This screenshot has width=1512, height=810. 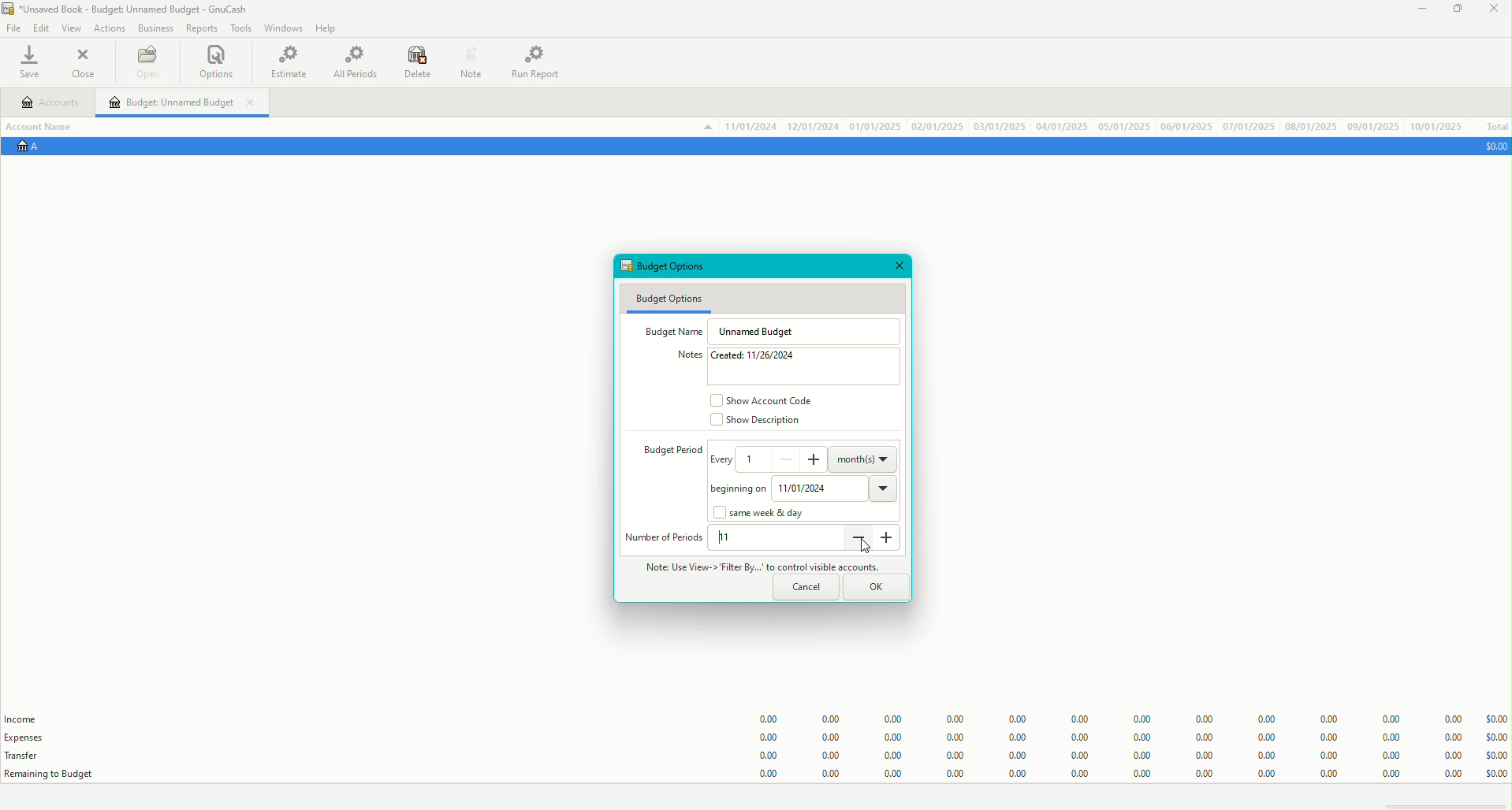 I want to click on decrease, so click(x=788, y=458).